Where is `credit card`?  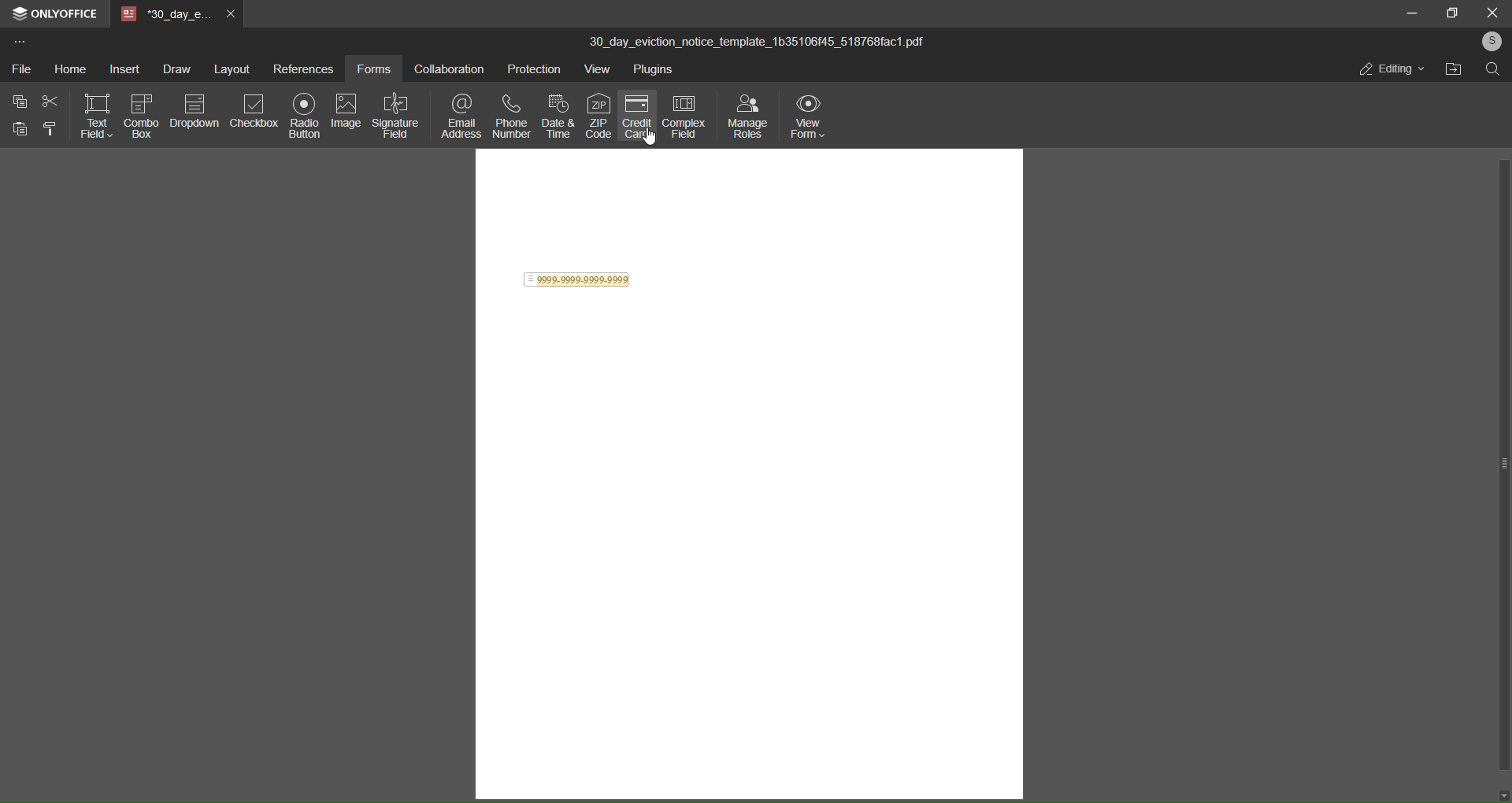
credit card is located at coordinates (639, 118).